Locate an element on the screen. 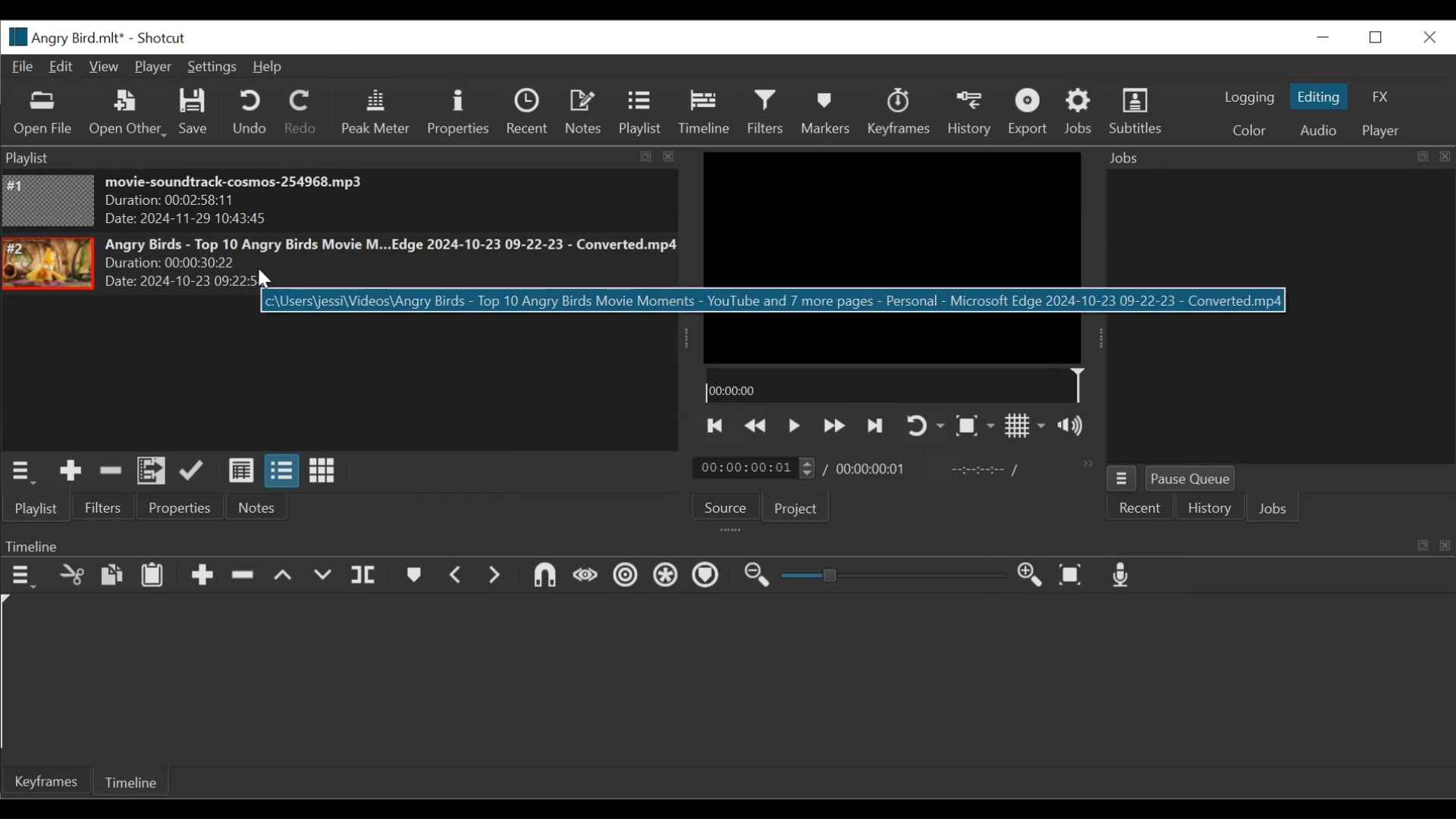  c\Users\jessi\Videos\Angry Birds - Top 10 Angry Birds Movie Moments - YouTube and 7 more pages - Personal - Microsoft Edge 2024-10-23 09-22-23 - Converted.mp4 is located at coordinates (777, 303).